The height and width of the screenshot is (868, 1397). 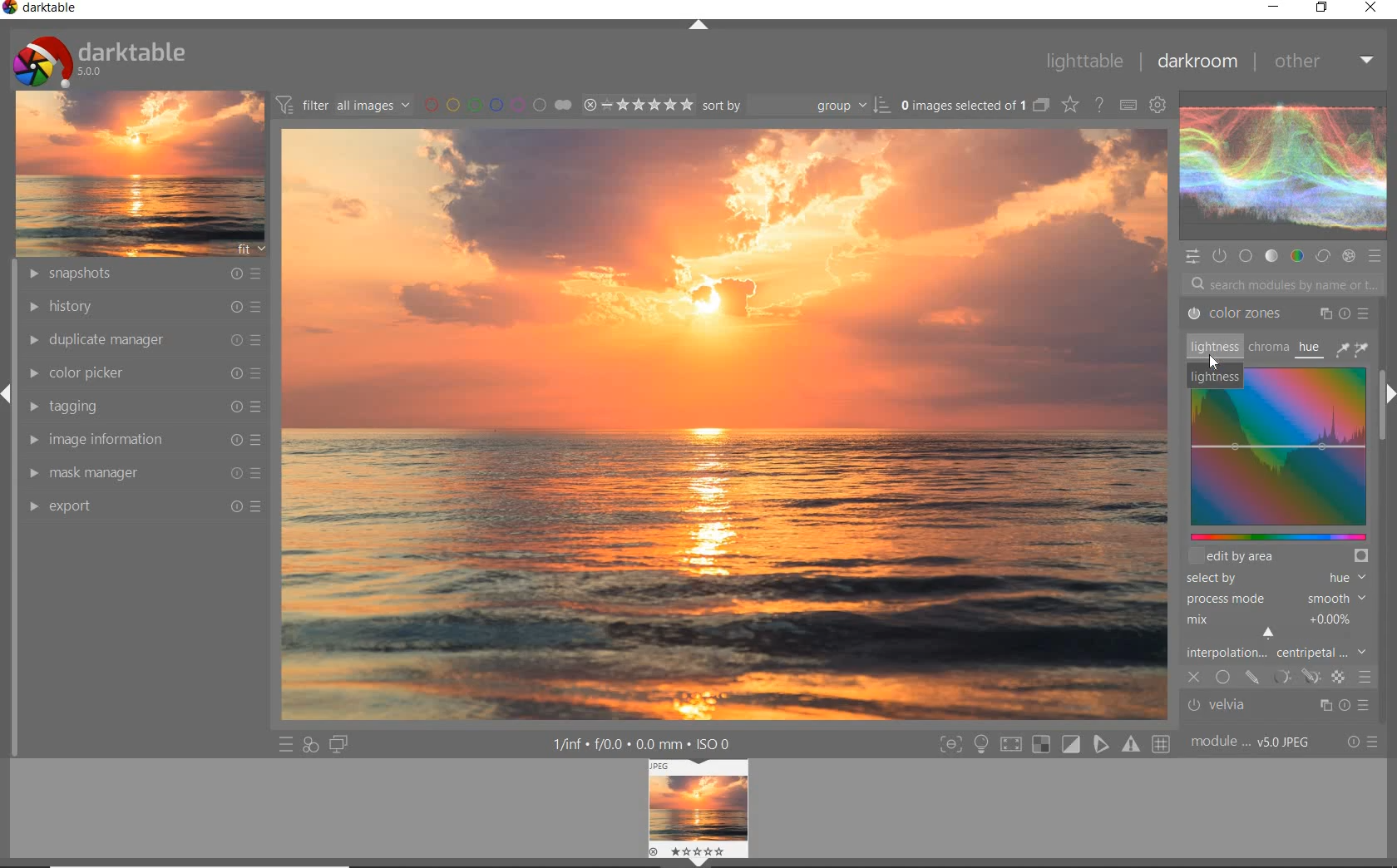 What do you see at coordinates (1323, 257) in the screenshot?
I see `CORRECT` at bounding box center [1323, 257].